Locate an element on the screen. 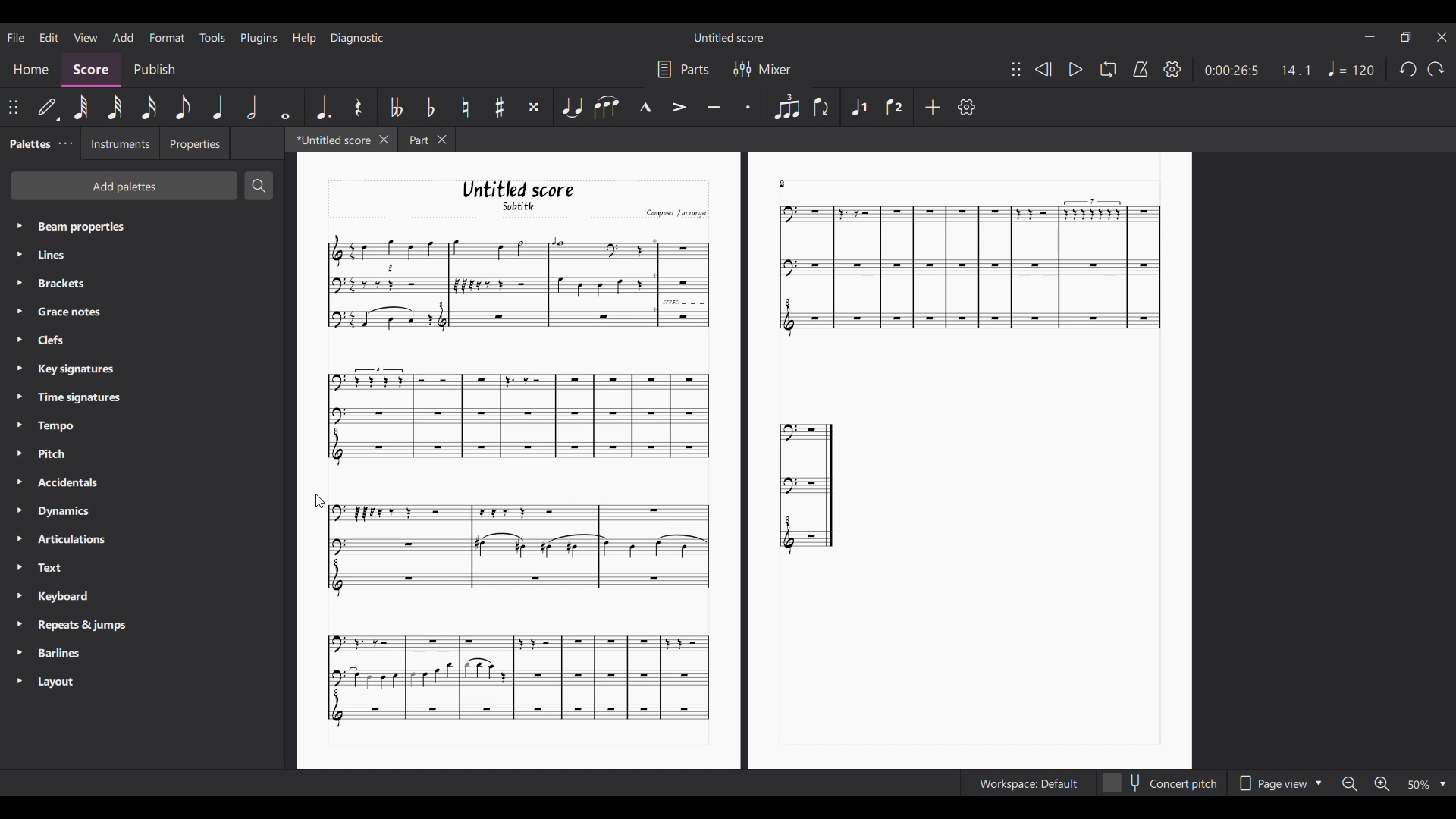 The width and height of the screenshot is (1456, 819). Graph is located at coordinates (513, 542).